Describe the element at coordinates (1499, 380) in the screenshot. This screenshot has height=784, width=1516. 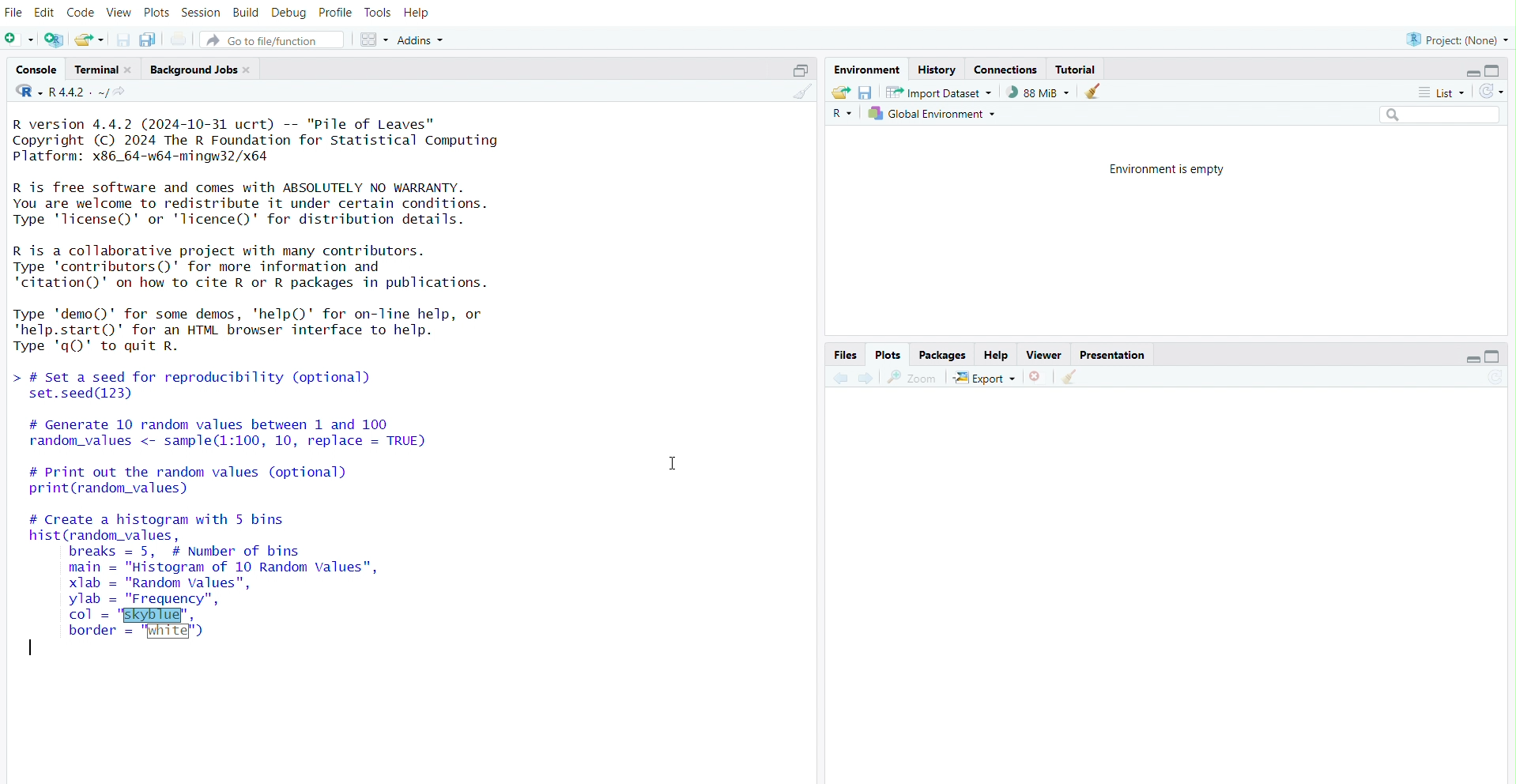
I see `refresh current plot` at that location.